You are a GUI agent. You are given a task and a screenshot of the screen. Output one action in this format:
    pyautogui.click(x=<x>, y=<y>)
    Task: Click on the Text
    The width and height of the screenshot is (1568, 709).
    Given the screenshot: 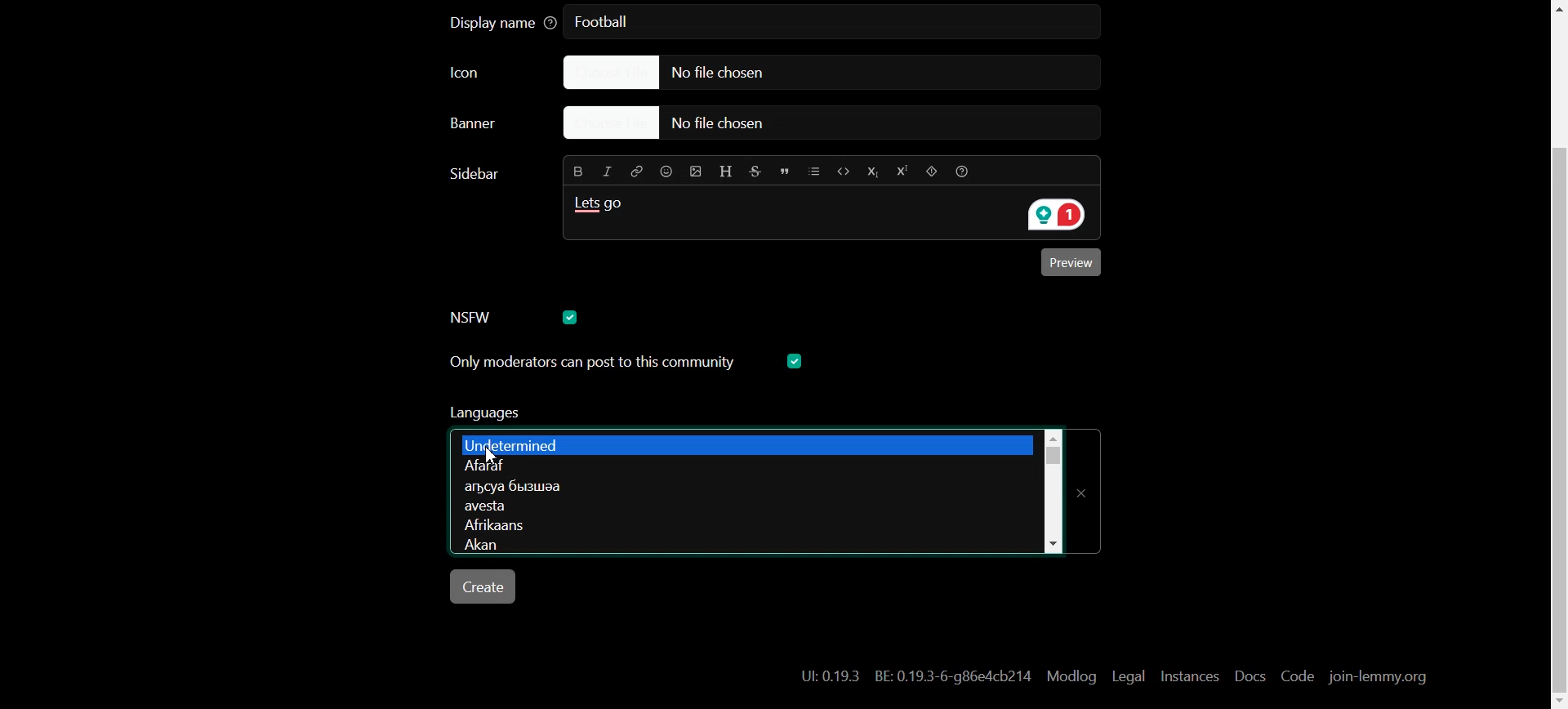 What is the action you would take?
    pyautogui.click(x=478, y=173)
    